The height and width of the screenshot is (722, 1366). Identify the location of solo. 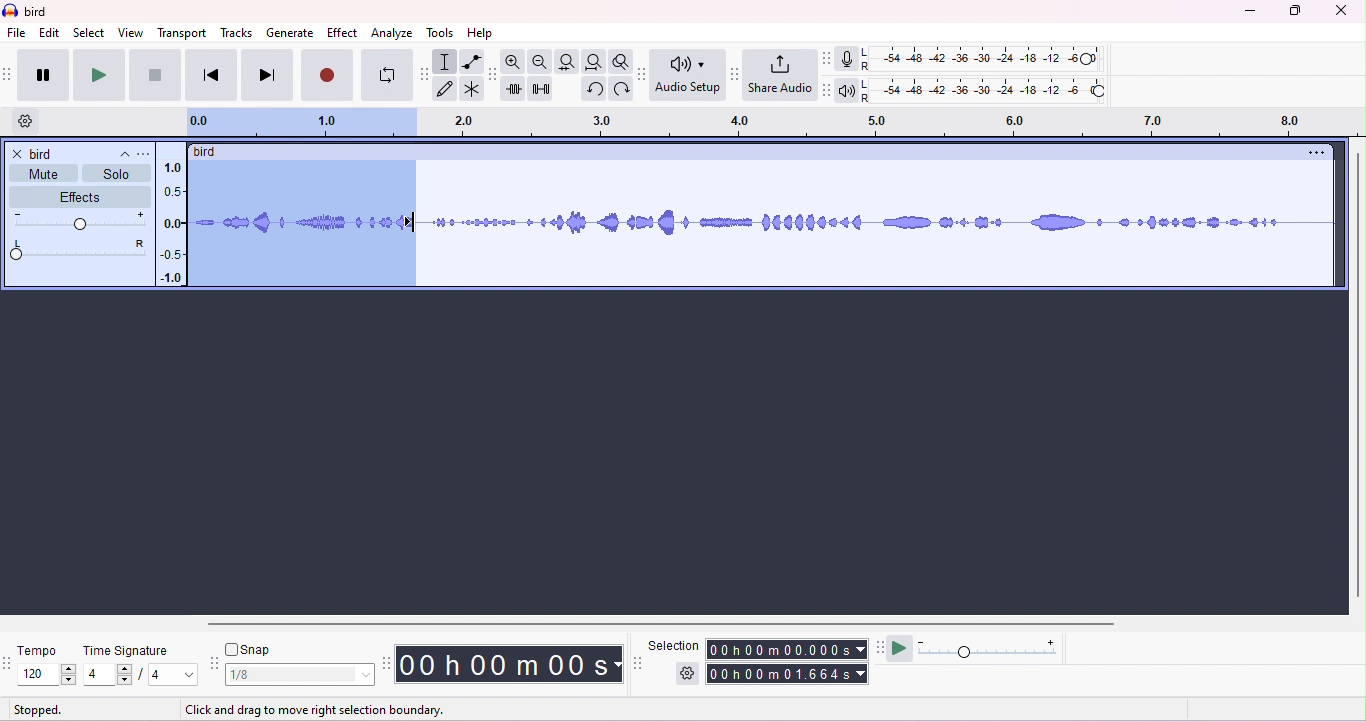
(116, 174).